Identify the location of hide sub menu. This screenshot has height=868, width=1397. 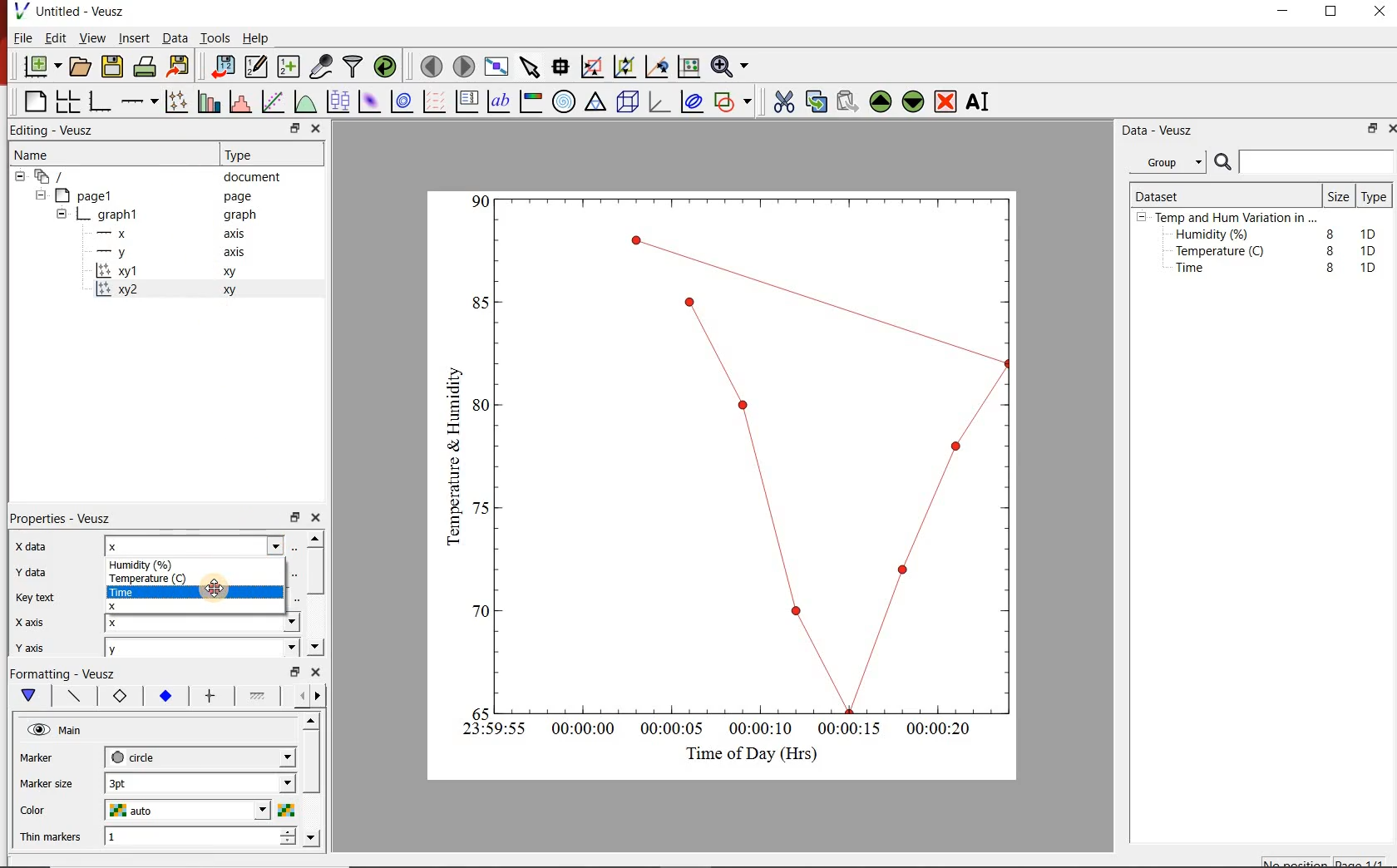
(18, 179).